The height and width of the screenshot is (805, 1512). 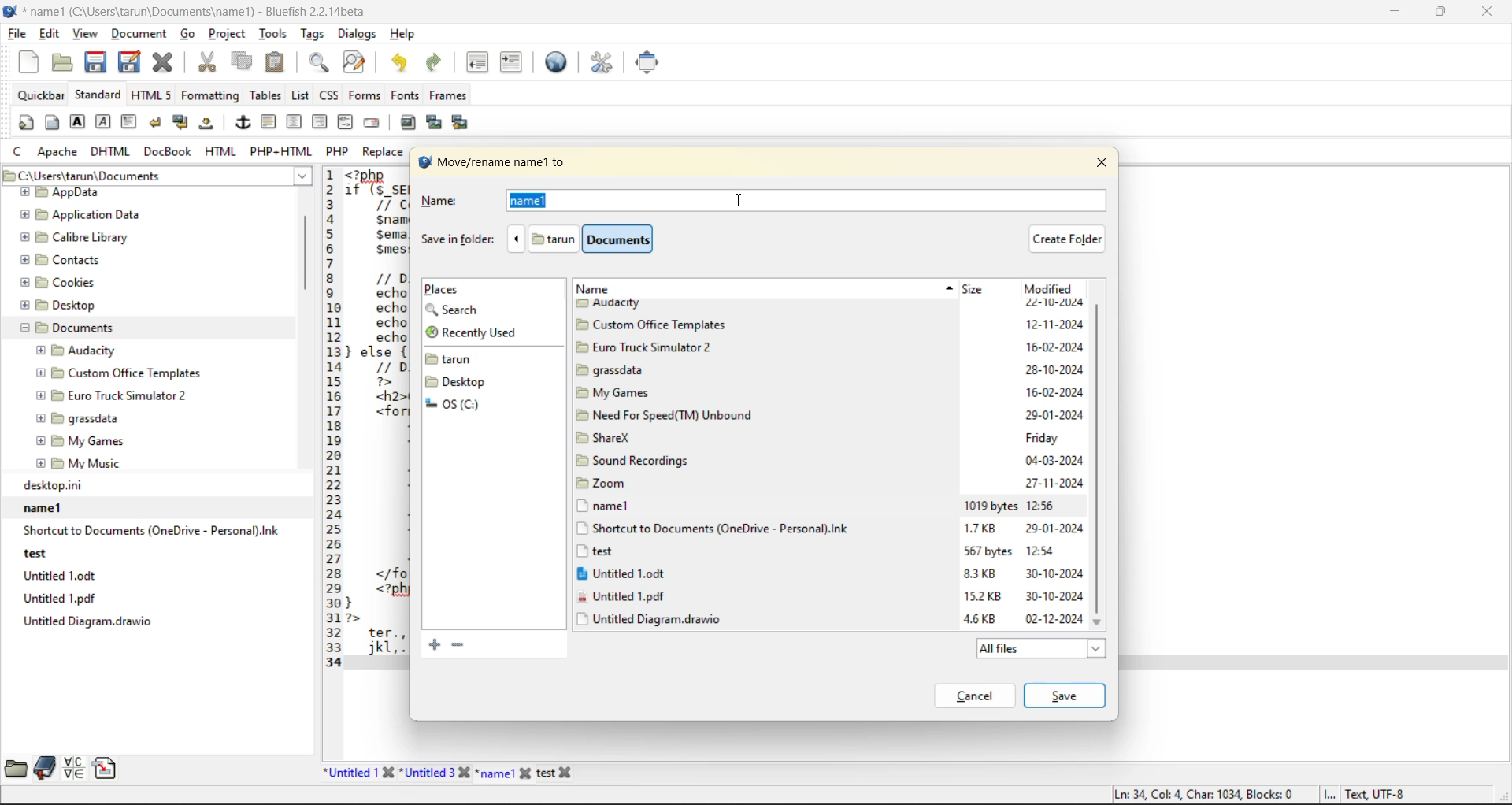 What do you see at coordinates (152, 96) in the screenshot?
I see `html5` at bounding box center [152, 96].